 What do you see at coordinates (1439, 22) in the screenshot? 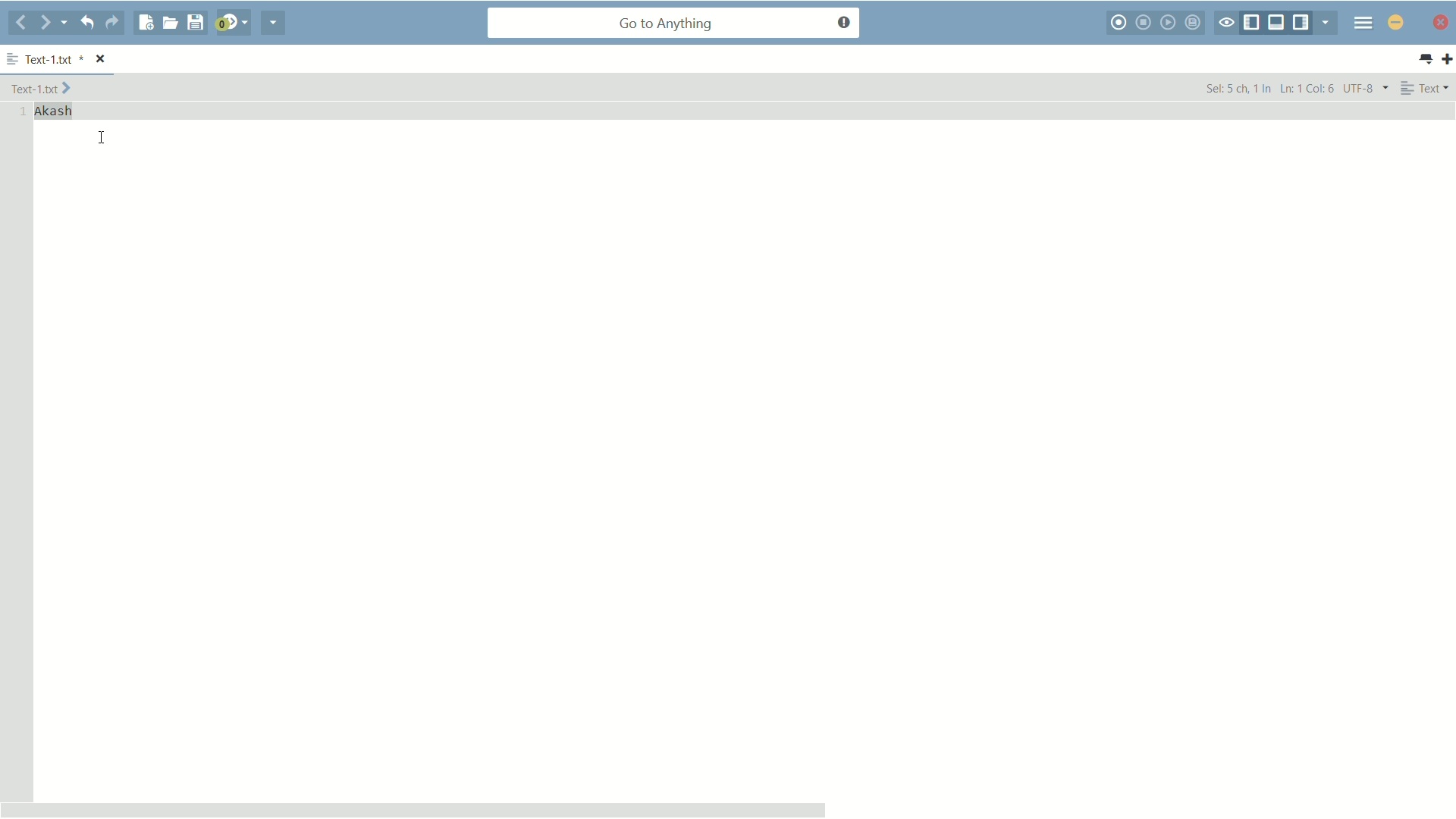
I see `close app` at bounding box center [1439, 22].